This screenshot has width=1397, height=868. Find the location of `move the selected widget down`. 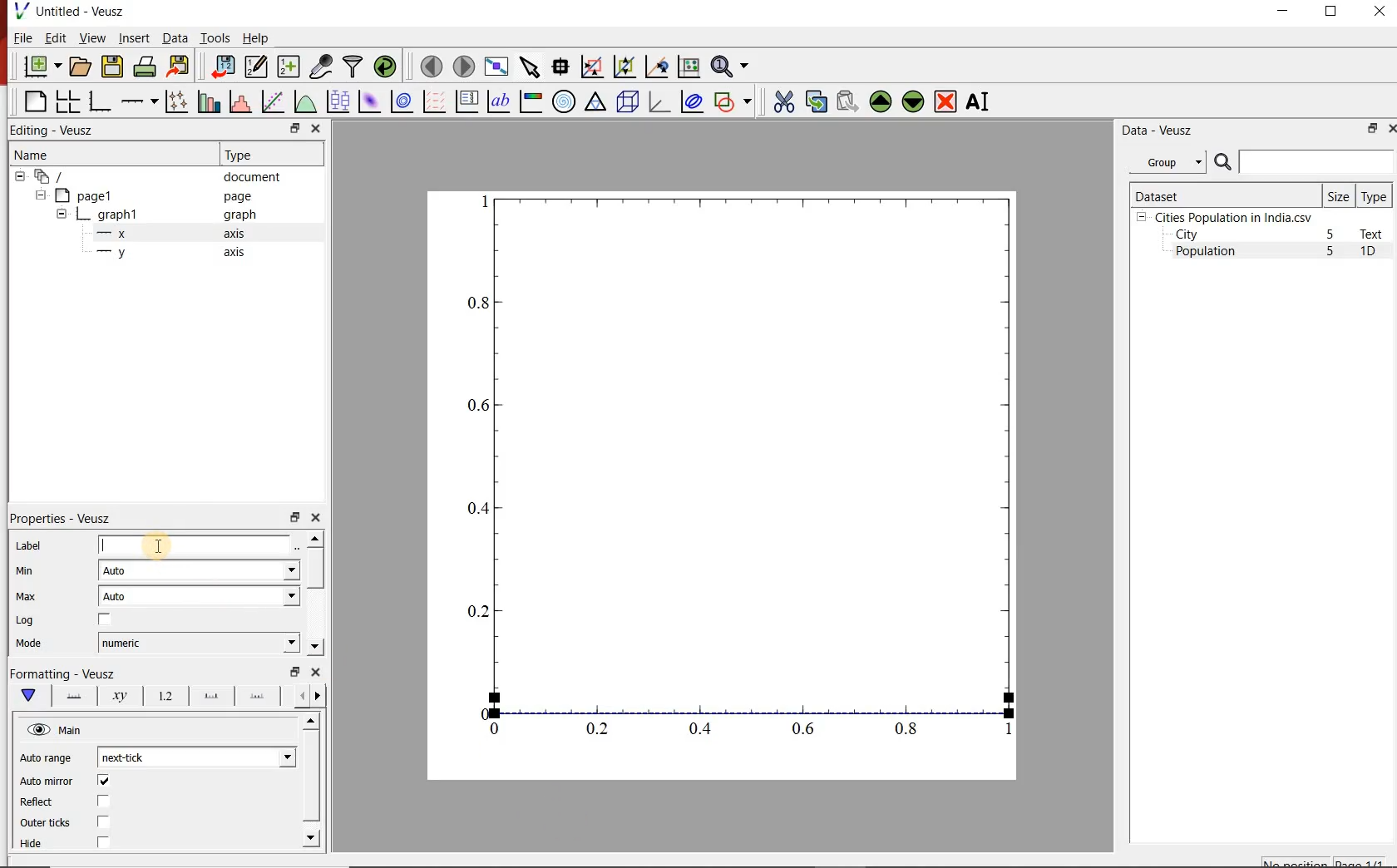

move the selected widget down is located at coordinates (913, 101).